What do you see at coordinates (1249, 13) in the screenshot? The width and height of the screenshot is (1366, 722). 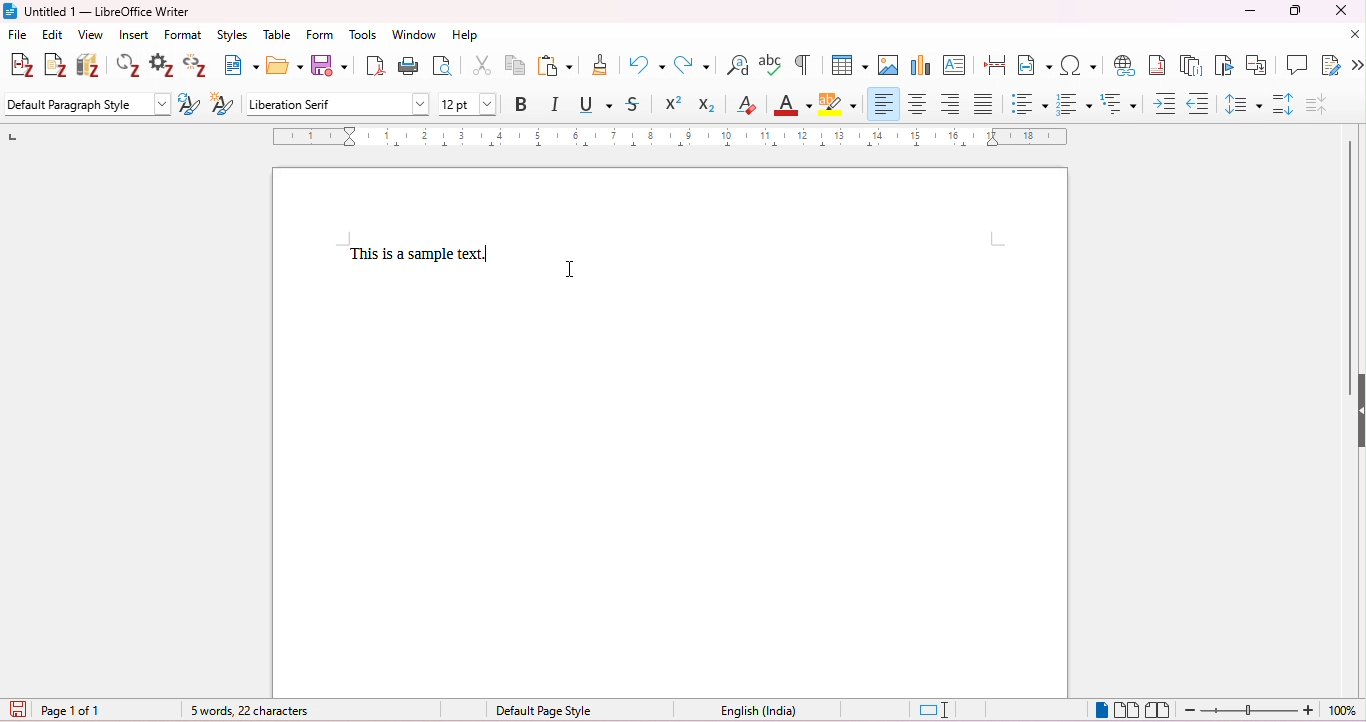 I see `minimize` at bounding box center [1249, 13].